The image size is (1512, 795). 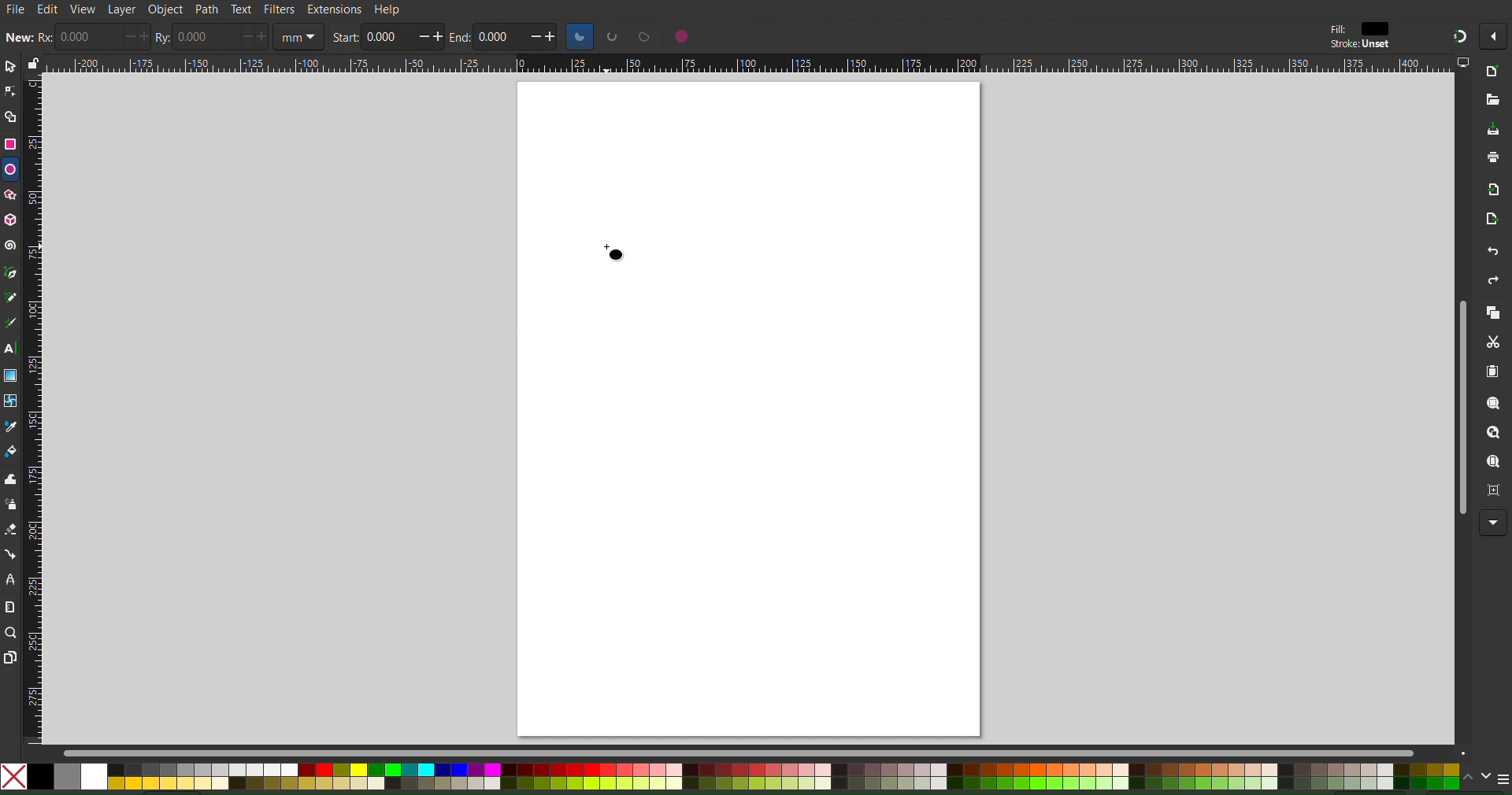 I want to click on New, so click(x=1496, y=76).